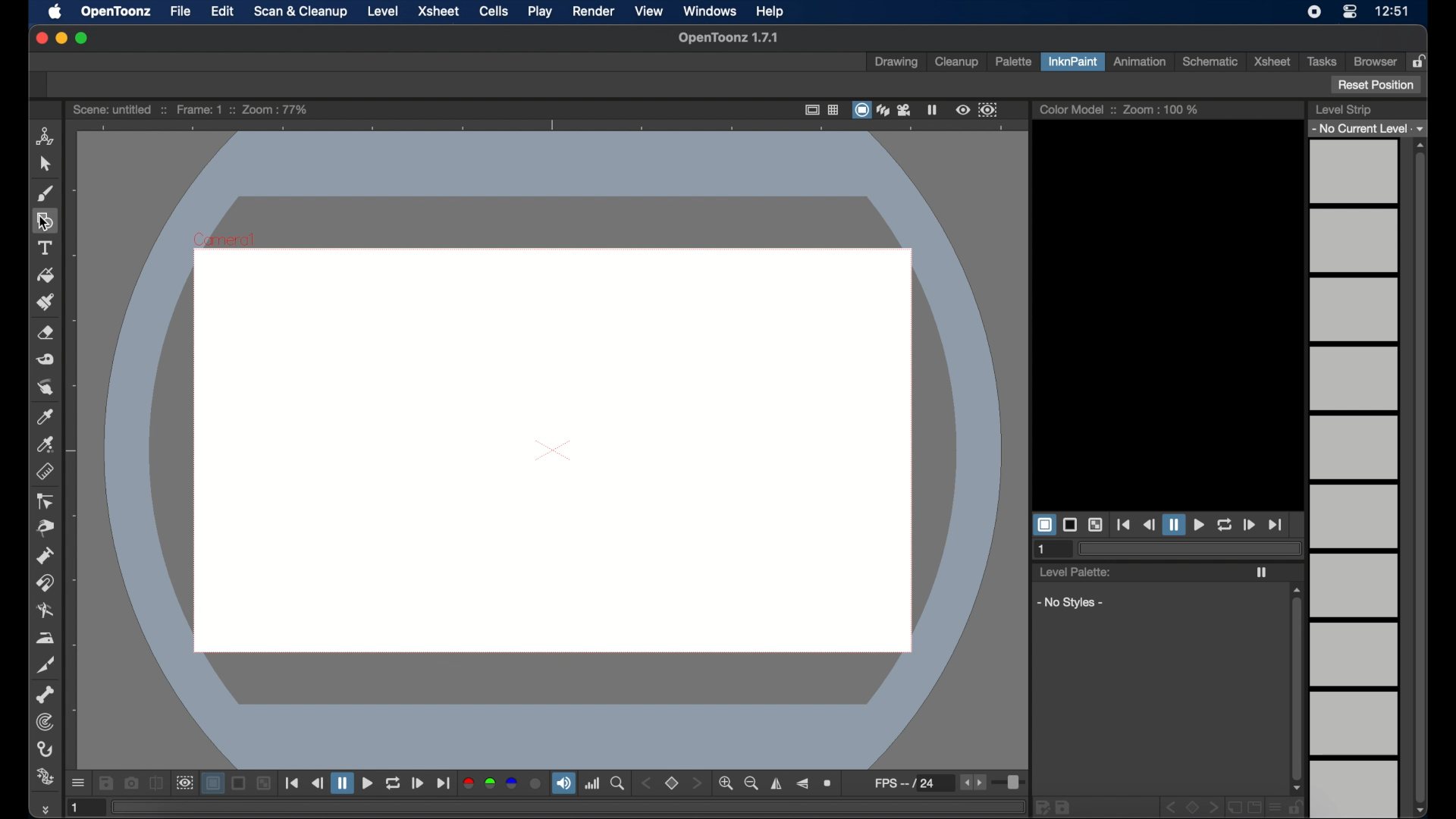 This screenshot has height=819, width=1456. I want to click on white background, so click(1043, 525).